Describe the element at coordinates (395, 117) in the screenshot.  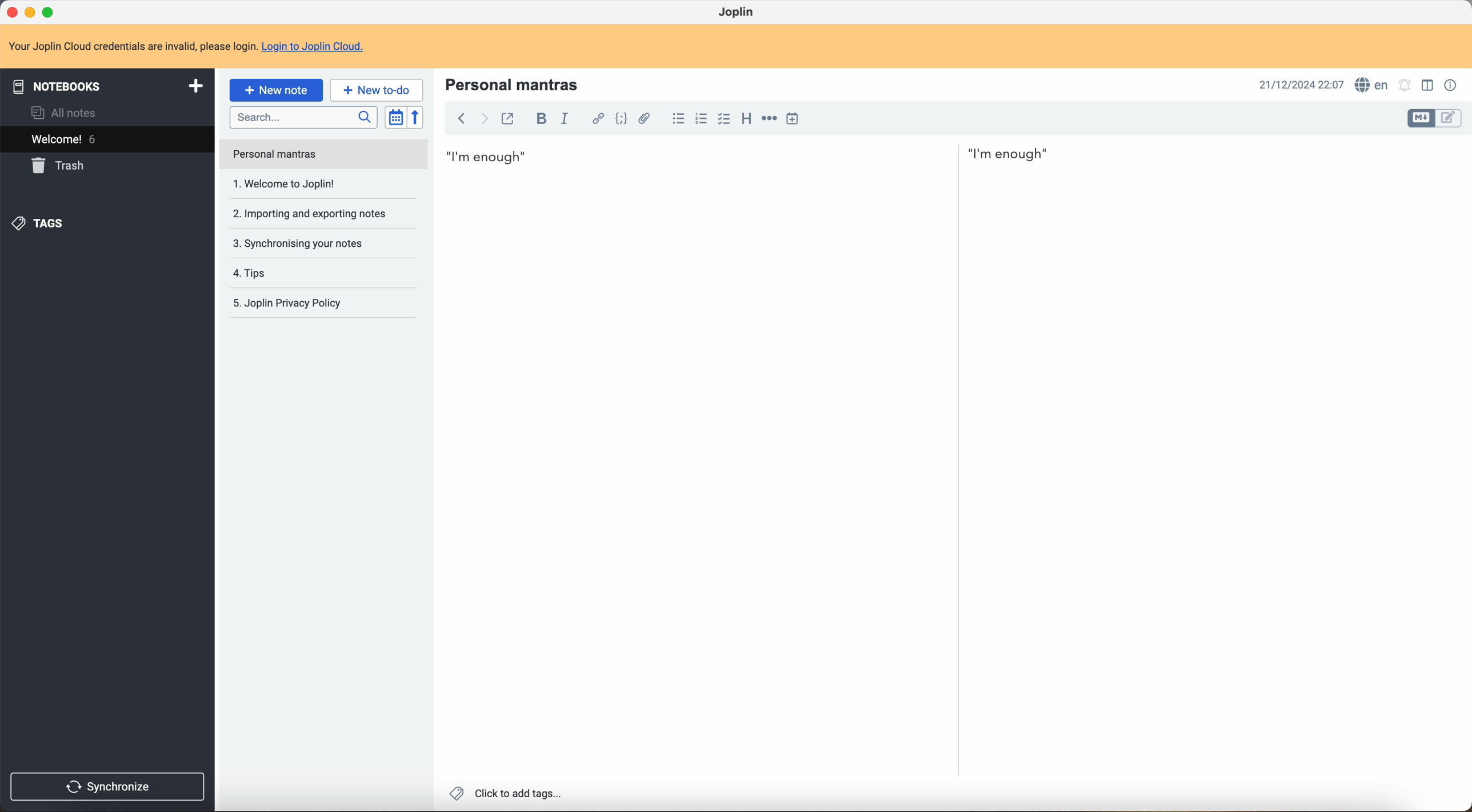
I see `toggle sort order field` at that location.